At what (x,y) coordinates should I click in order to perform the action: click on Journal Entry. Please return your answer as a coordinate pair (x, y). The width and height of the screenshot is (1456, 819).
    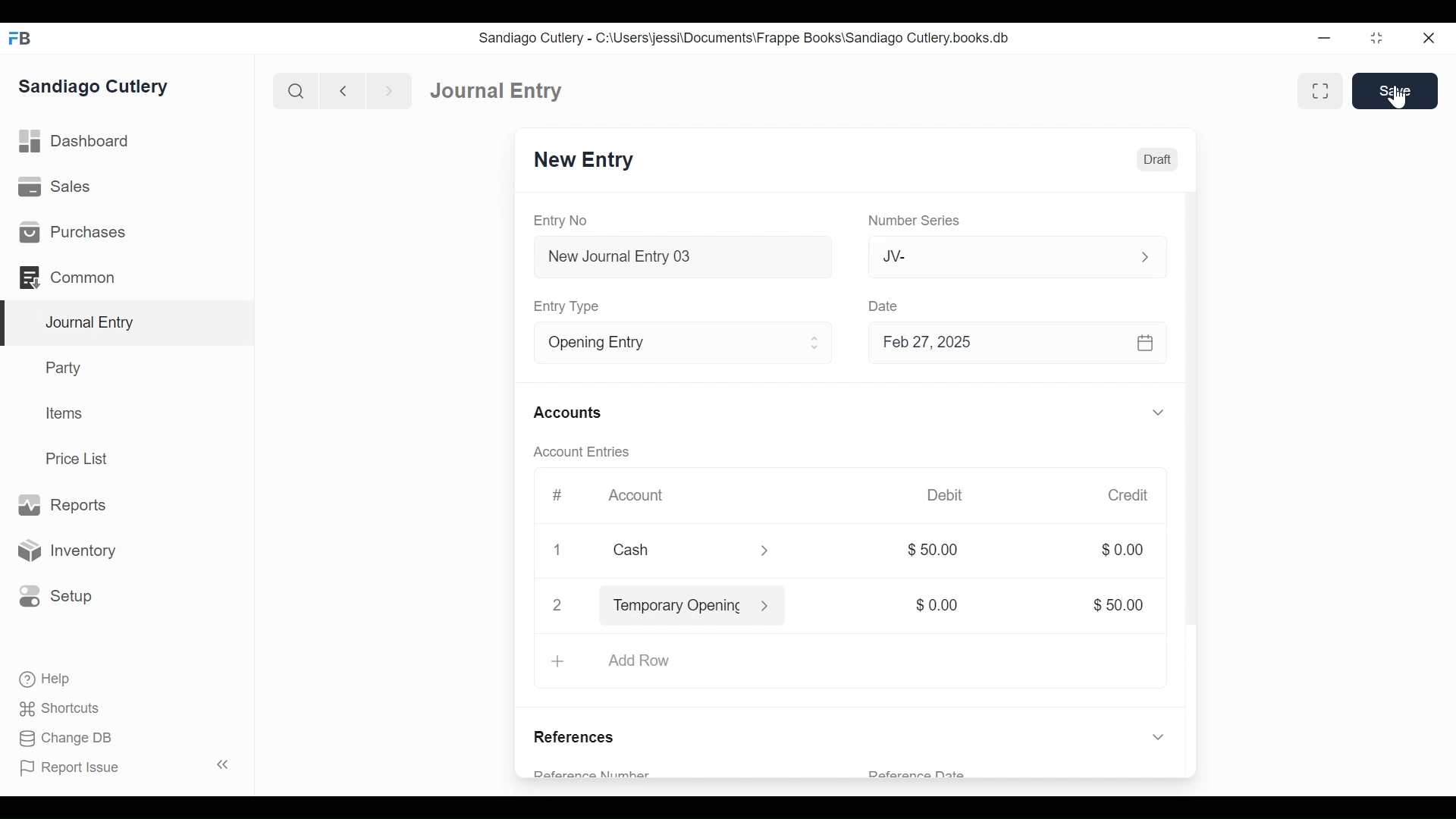
    Looking at the image, I should click on (498, 91).